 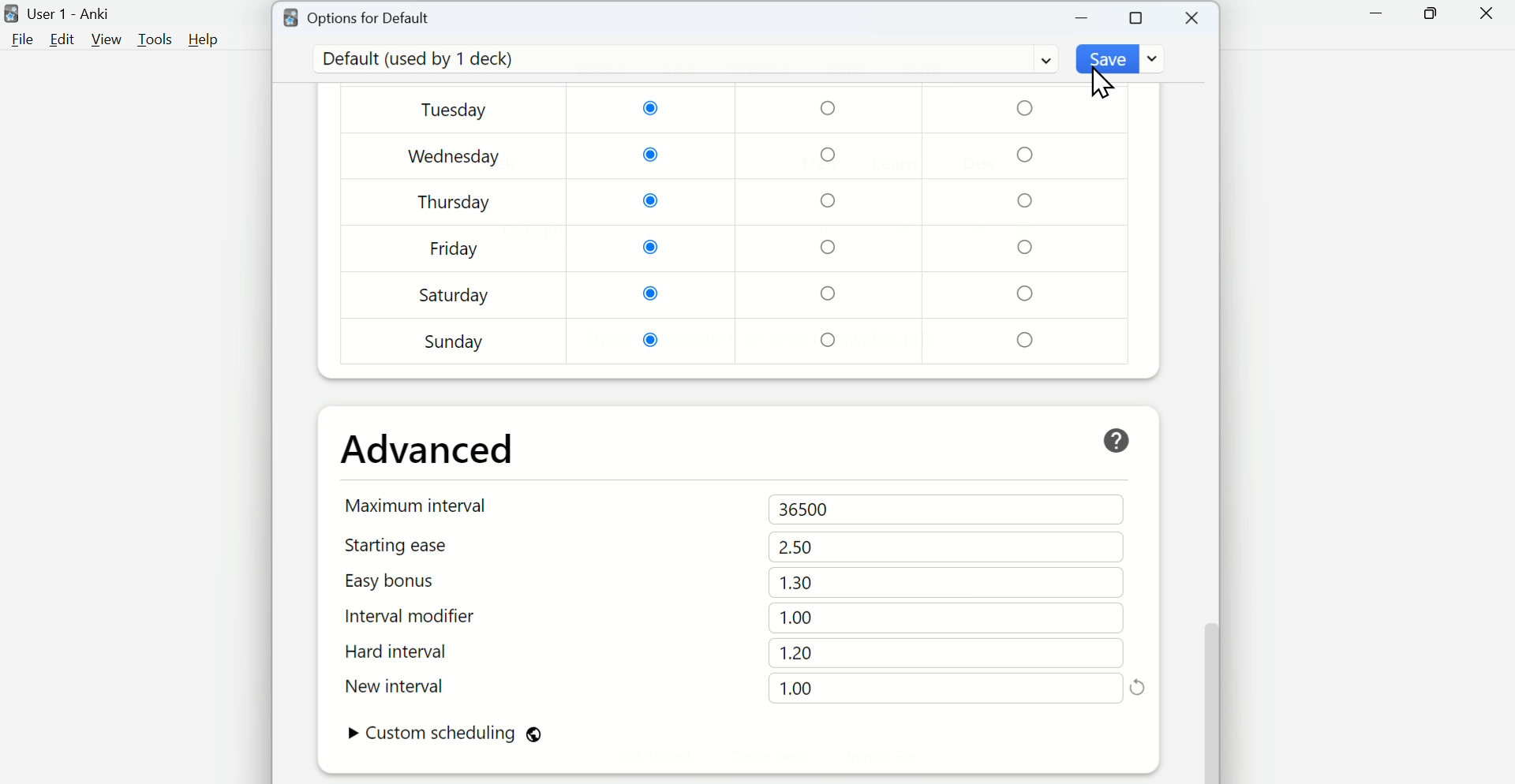 What do you see at coordinates (61, 14) in the screenshot?
I see `User 1 - Anki` at bounding box center [61, 14].